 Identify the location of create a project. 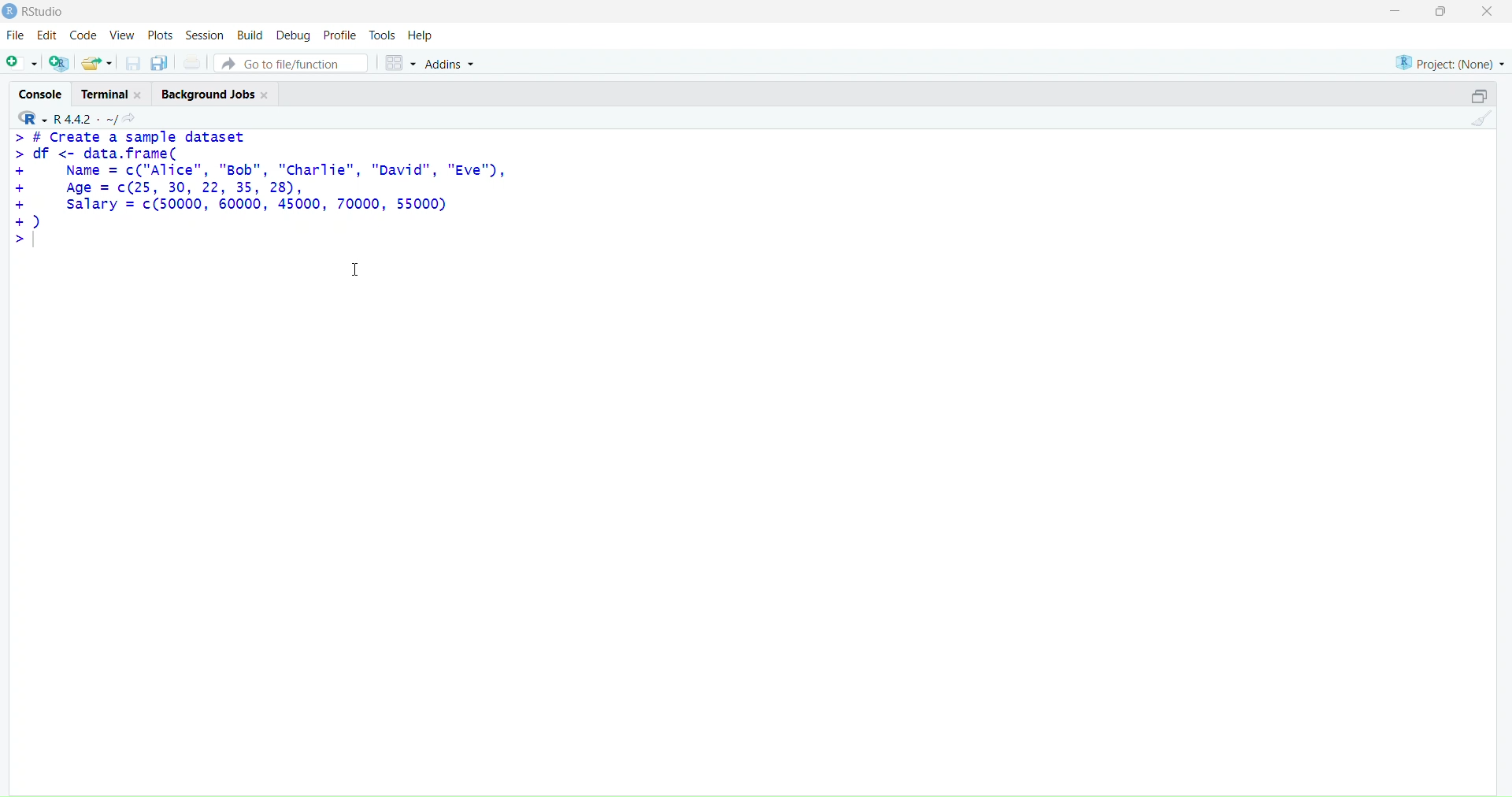
(59, 63).